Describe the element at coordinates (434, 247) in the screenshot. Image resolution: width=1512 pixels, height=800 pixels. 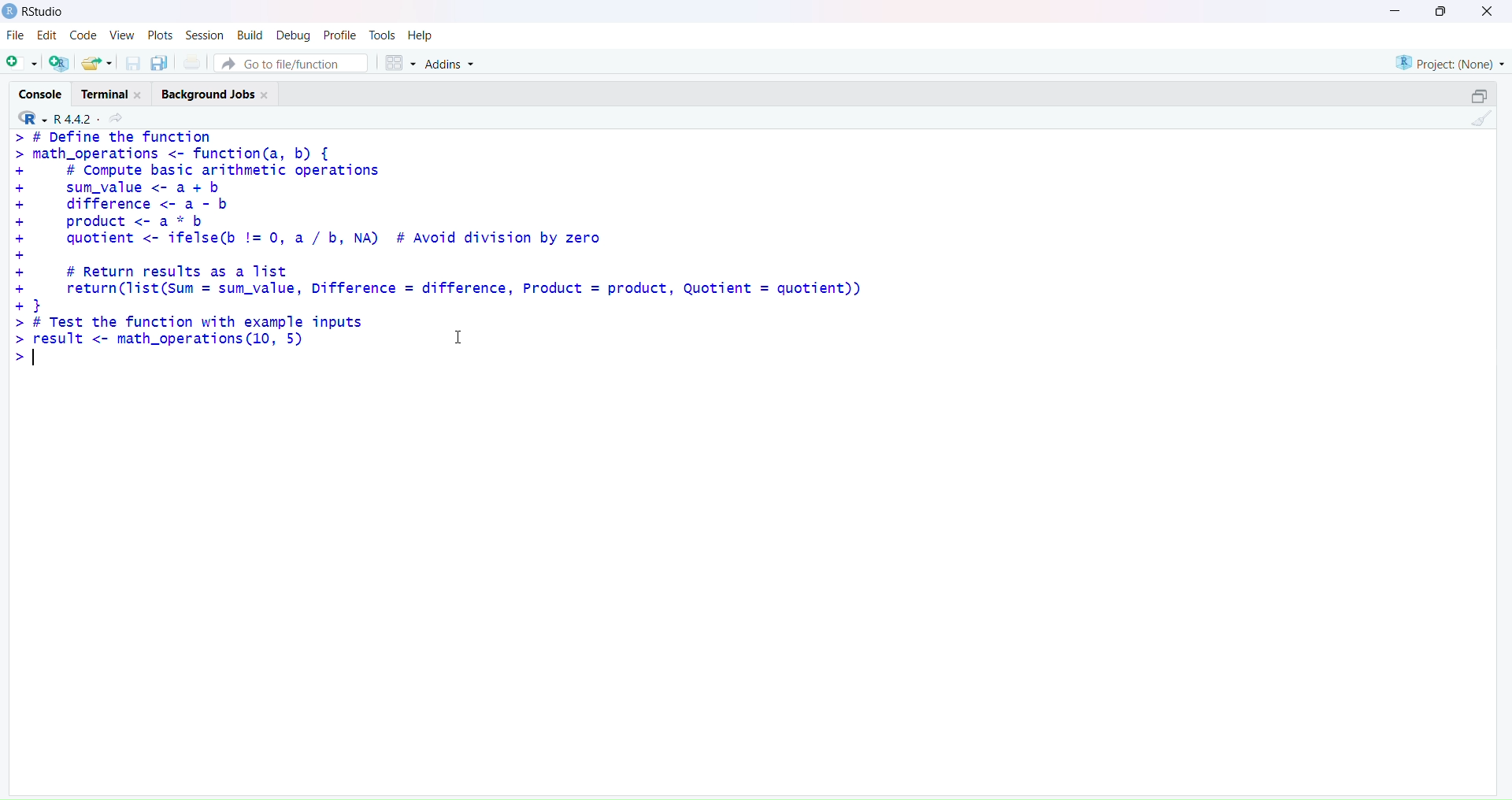
I see `- # Define the function
~ math_operations <- function(a, b) {
- # Compute basic arithmetic operations
- sum_value <- a + b
- difference <- a - b
- product <- a * b
- quotient <- ifelse(b != 0, a / b, NA) # Avoid division by zero
)
- # Return results as a Tist
- return(1ist(Sum = sum_value, Difference = difference, Product = product, Quotient = quotient))
3
- # Test the function with example inputs
result <- math_operations (10, 5)| I` at that location.